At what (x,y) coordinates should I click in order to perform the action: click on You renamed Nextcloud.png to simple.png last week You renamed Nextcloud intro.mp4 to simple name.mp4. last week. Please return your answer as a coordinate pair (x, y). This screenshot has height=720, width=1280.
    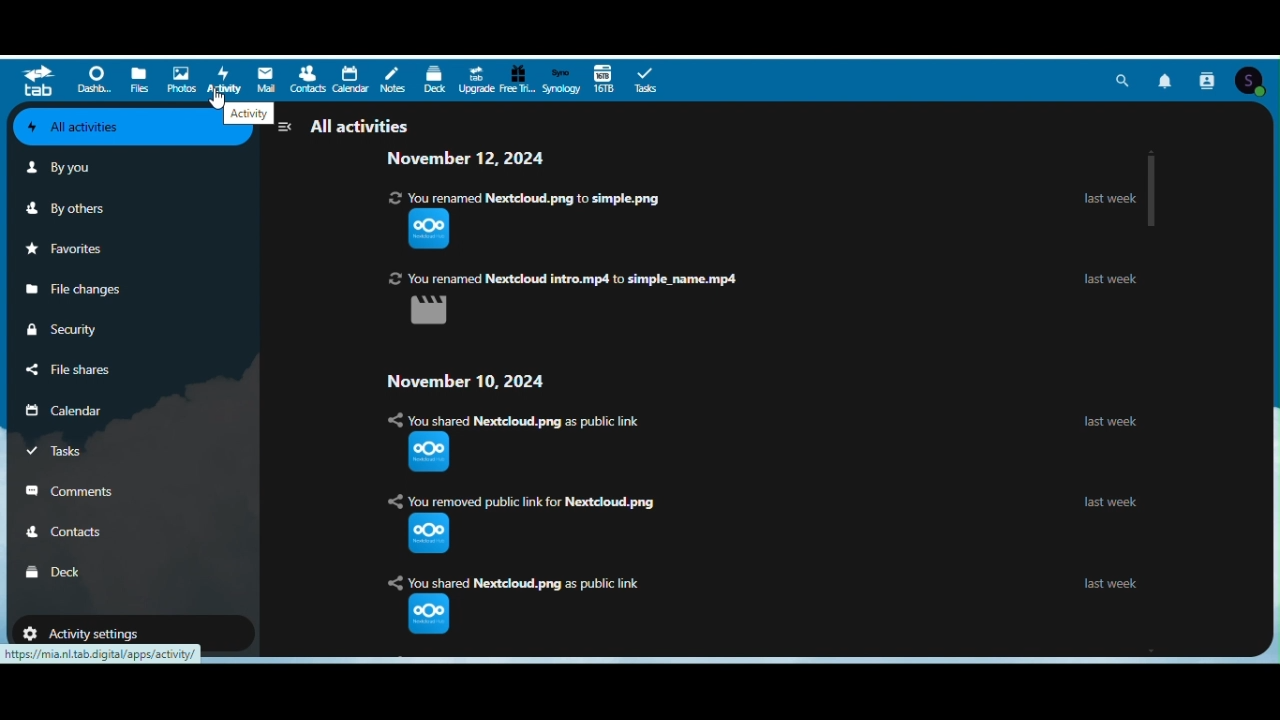
    Looking at the image, I should click on (751, 258).